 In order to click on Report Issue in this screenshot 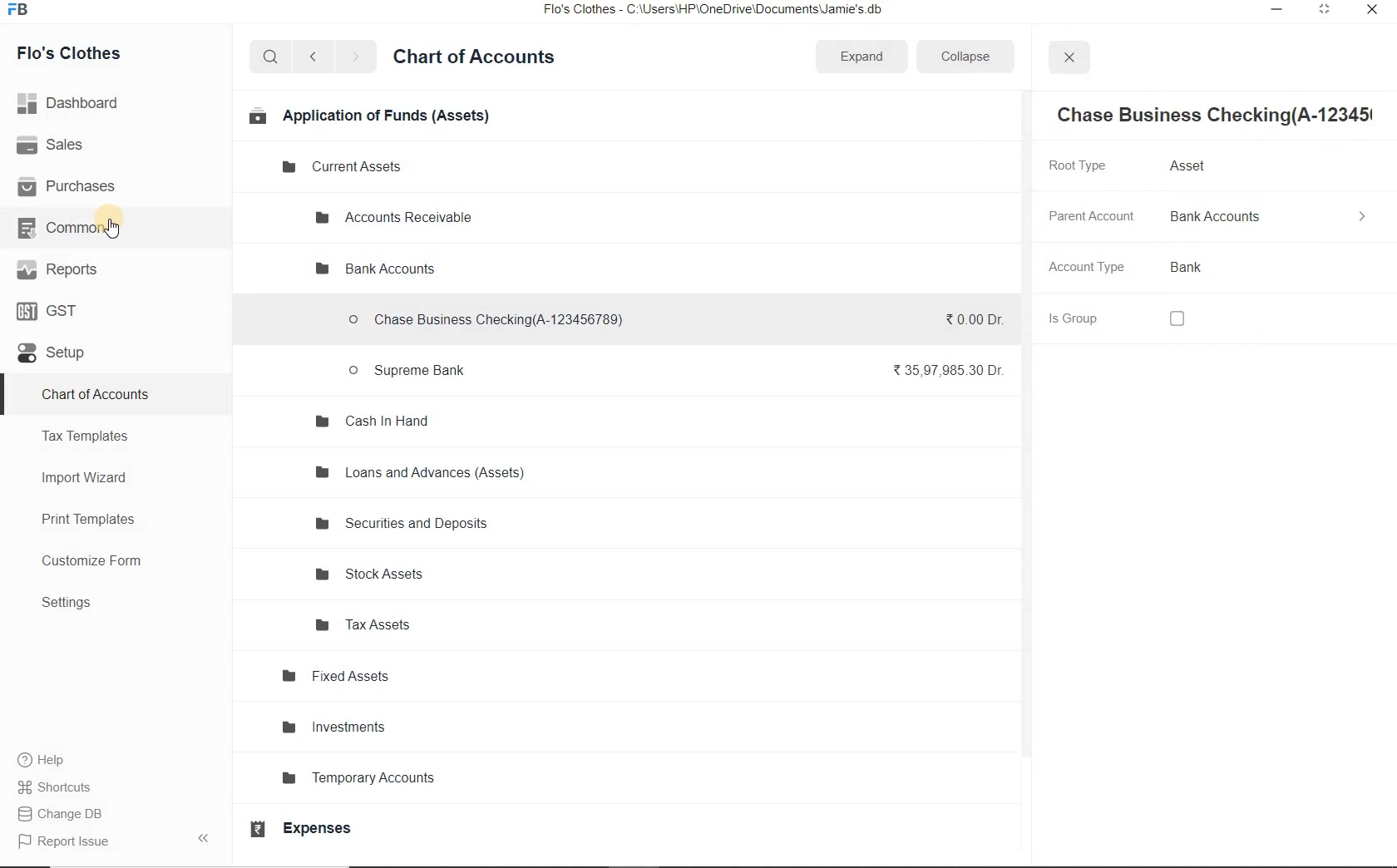, I will do `click(63, 841)`.